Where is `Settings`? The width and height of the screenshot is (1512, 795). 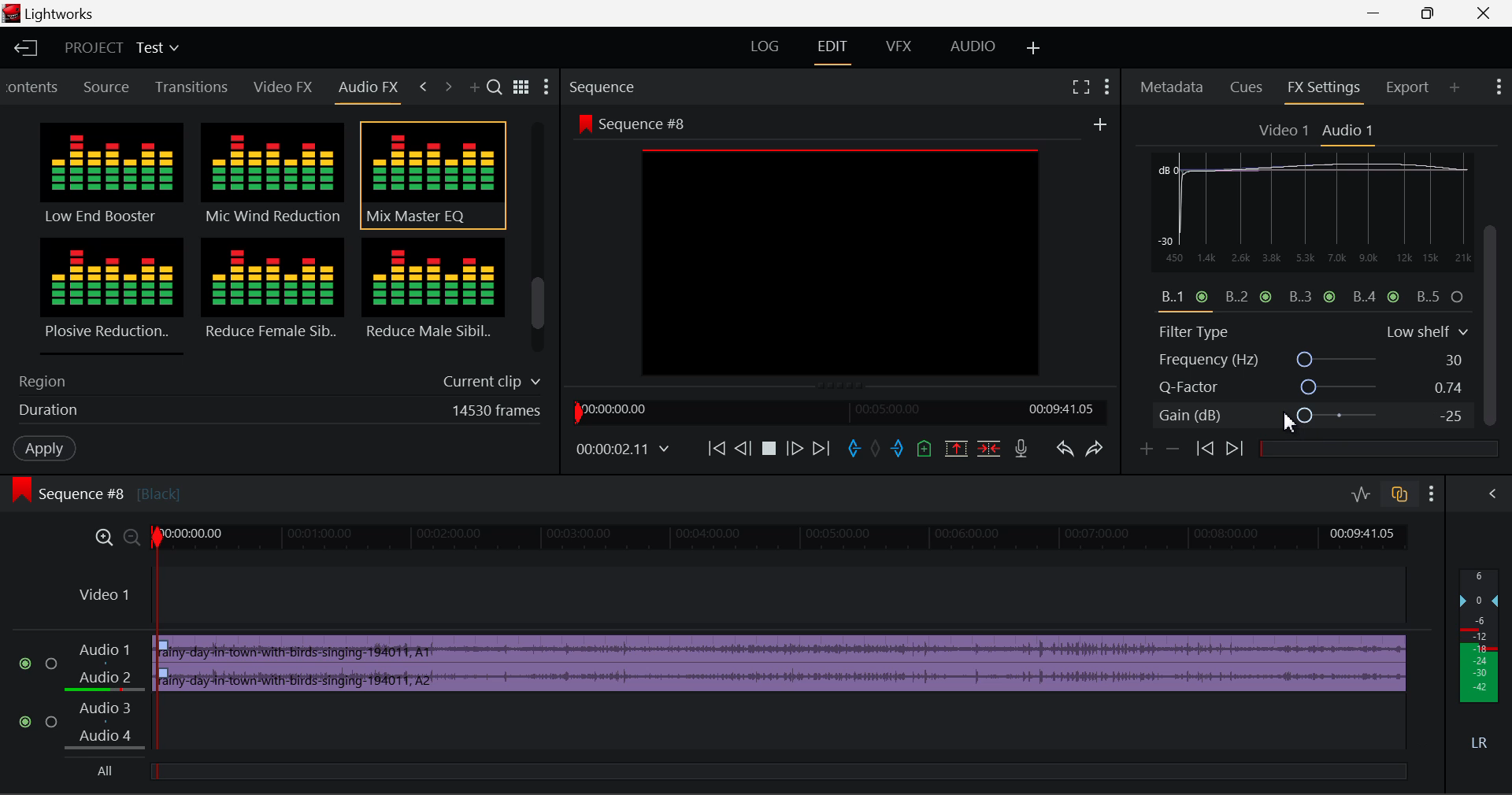
Settings is located at coordinates (547, 89).